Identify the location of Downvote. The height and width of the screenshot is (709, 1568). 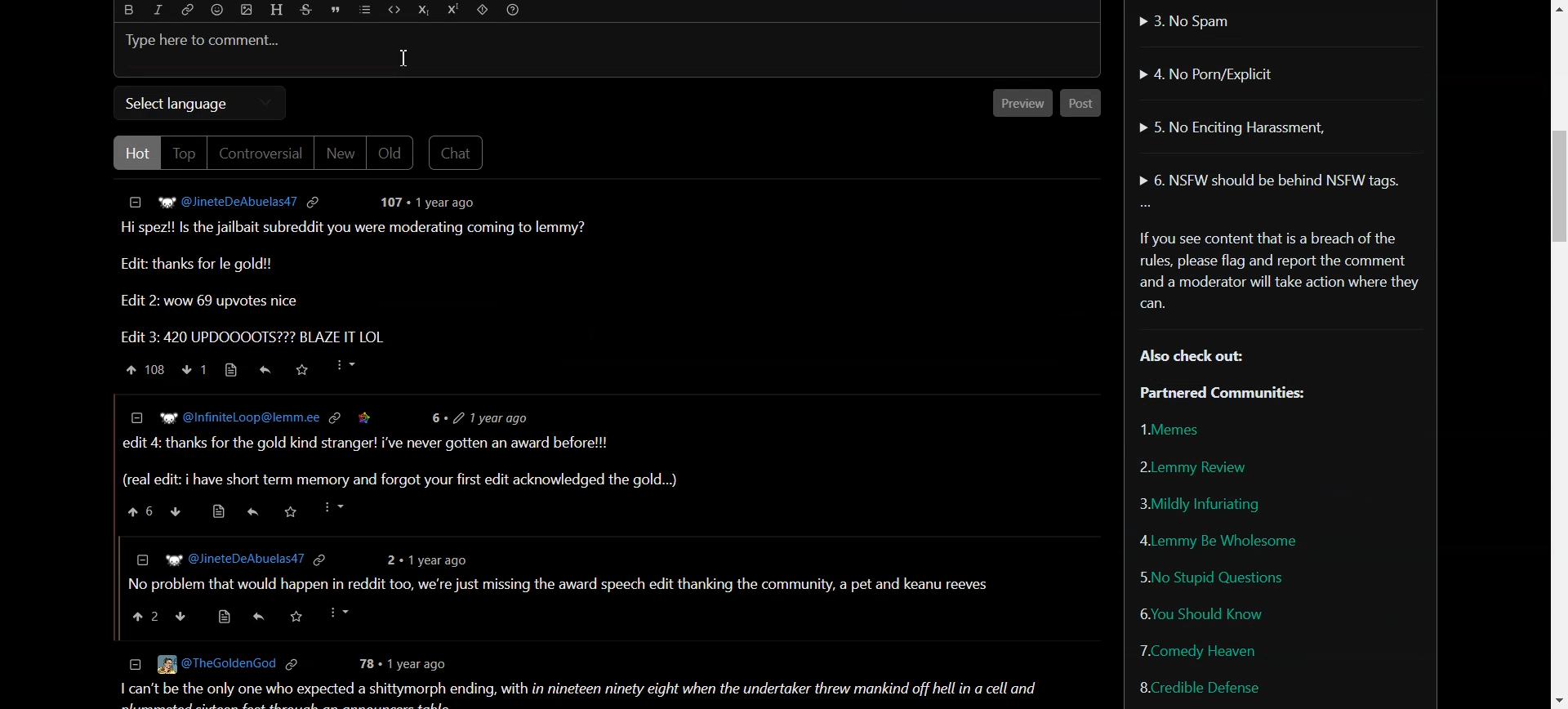
(196, 370).